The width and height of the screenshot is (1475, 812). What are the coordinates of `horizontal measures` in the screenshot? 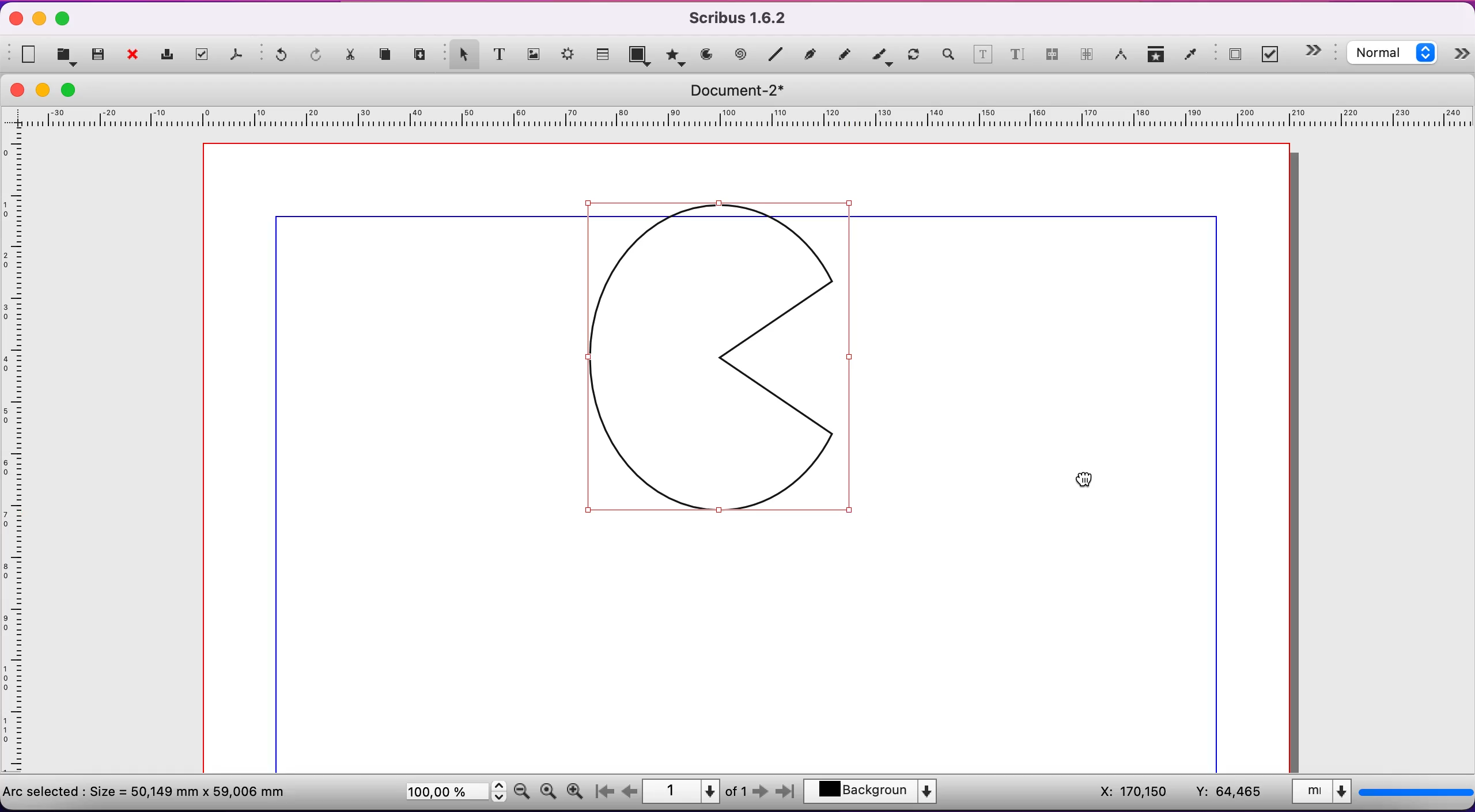 It's located at (740, 121).